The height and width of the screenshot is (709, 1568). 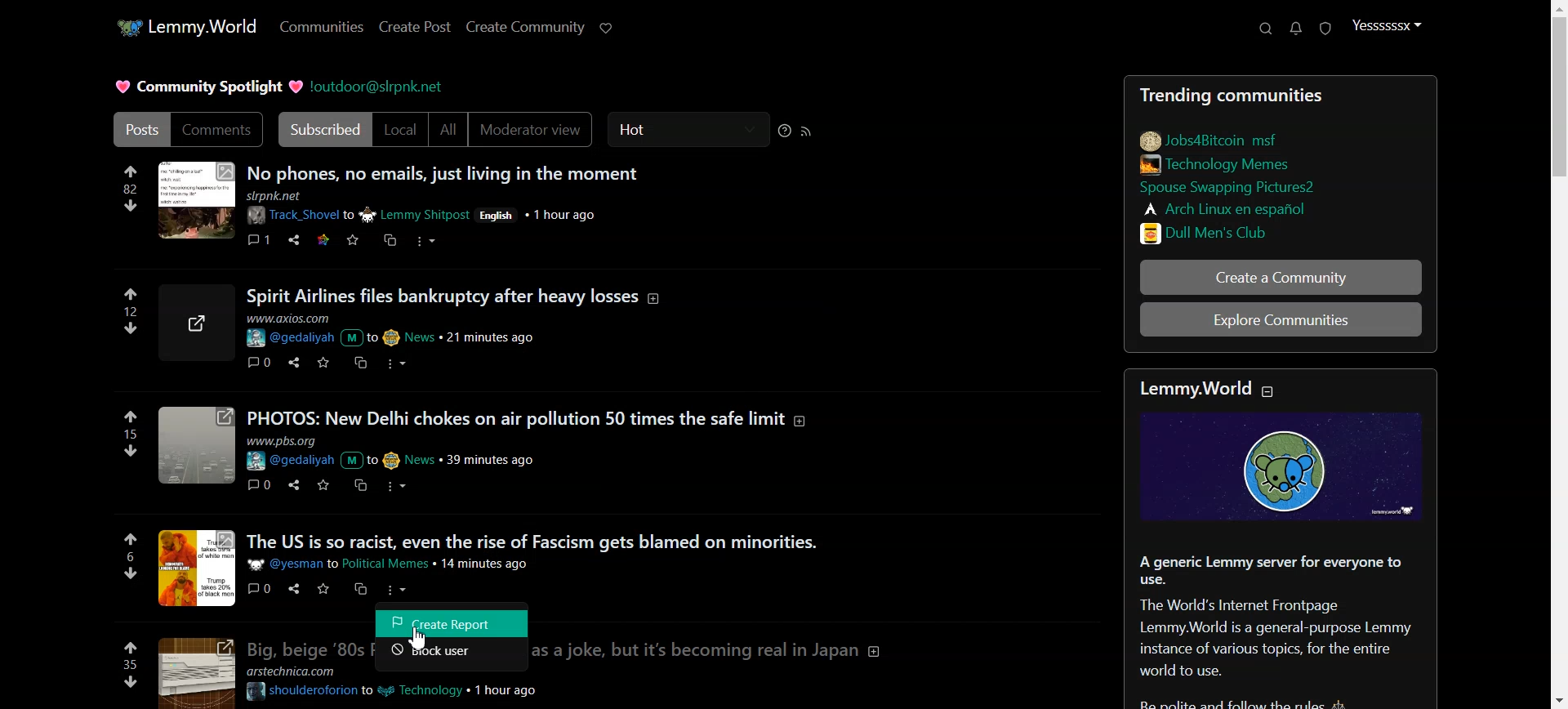 What do you see at coordinates (453, 622) in the screenshot?
I see `Create report` at bounding box center [453, 622].